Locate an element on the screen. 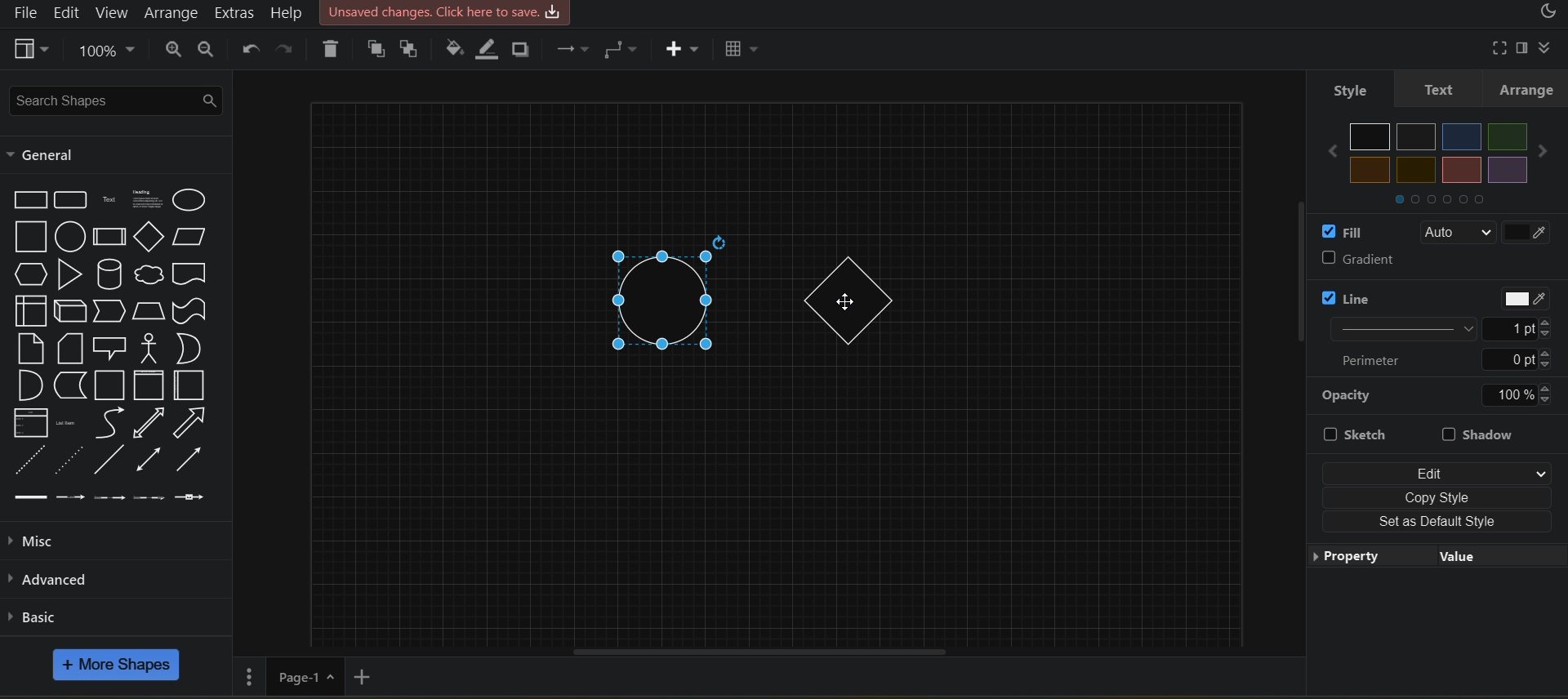  Connector with 3 labels is located at coordinates (149, 496).